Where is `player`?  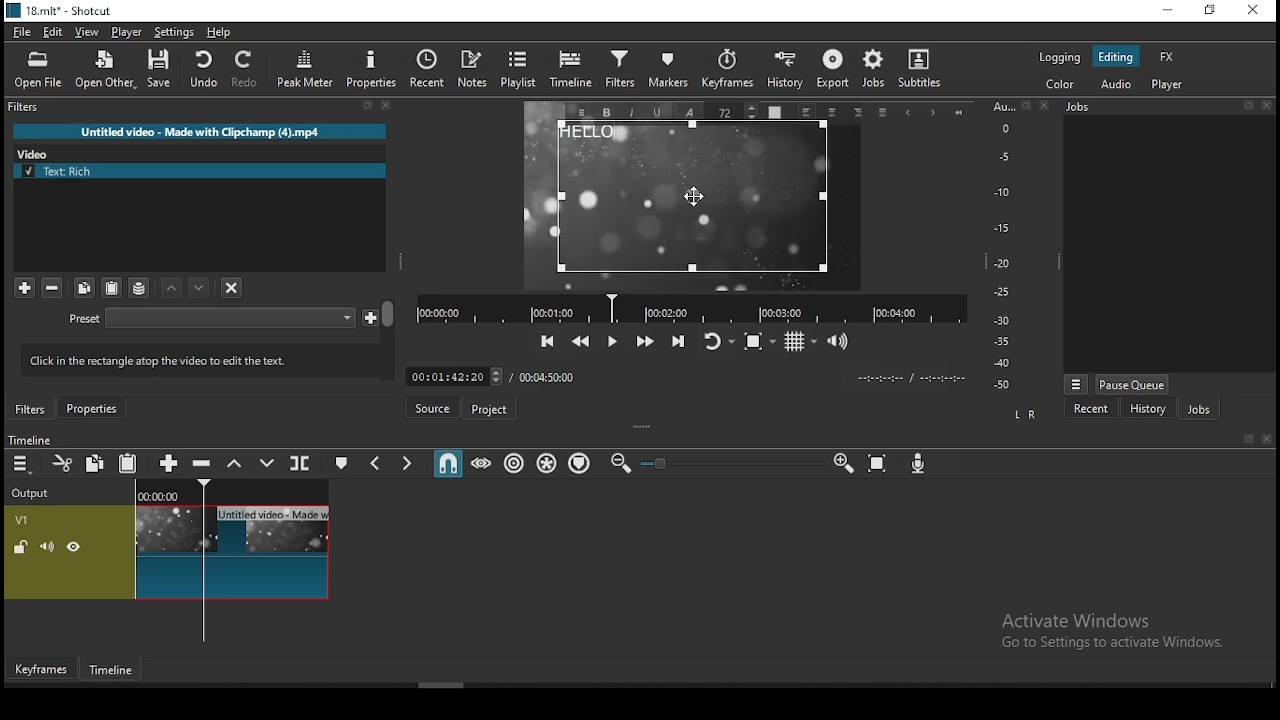 player is located at coordinates (127, 32).